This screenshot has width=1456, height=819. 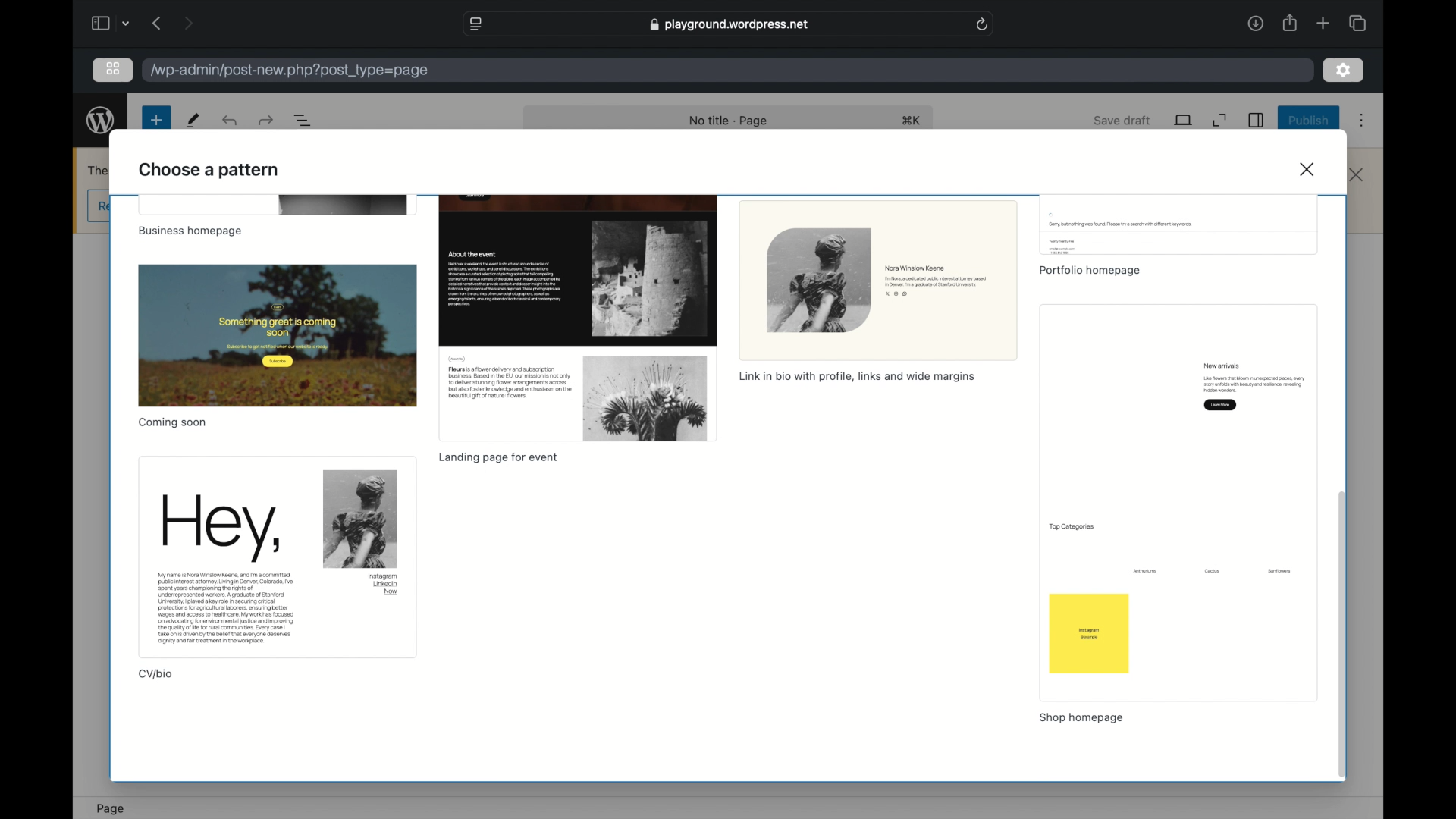 What do you see at coordinates (1257, 120) in the screenshot?
I see `sidebar` at bounding box center [1257, 120].